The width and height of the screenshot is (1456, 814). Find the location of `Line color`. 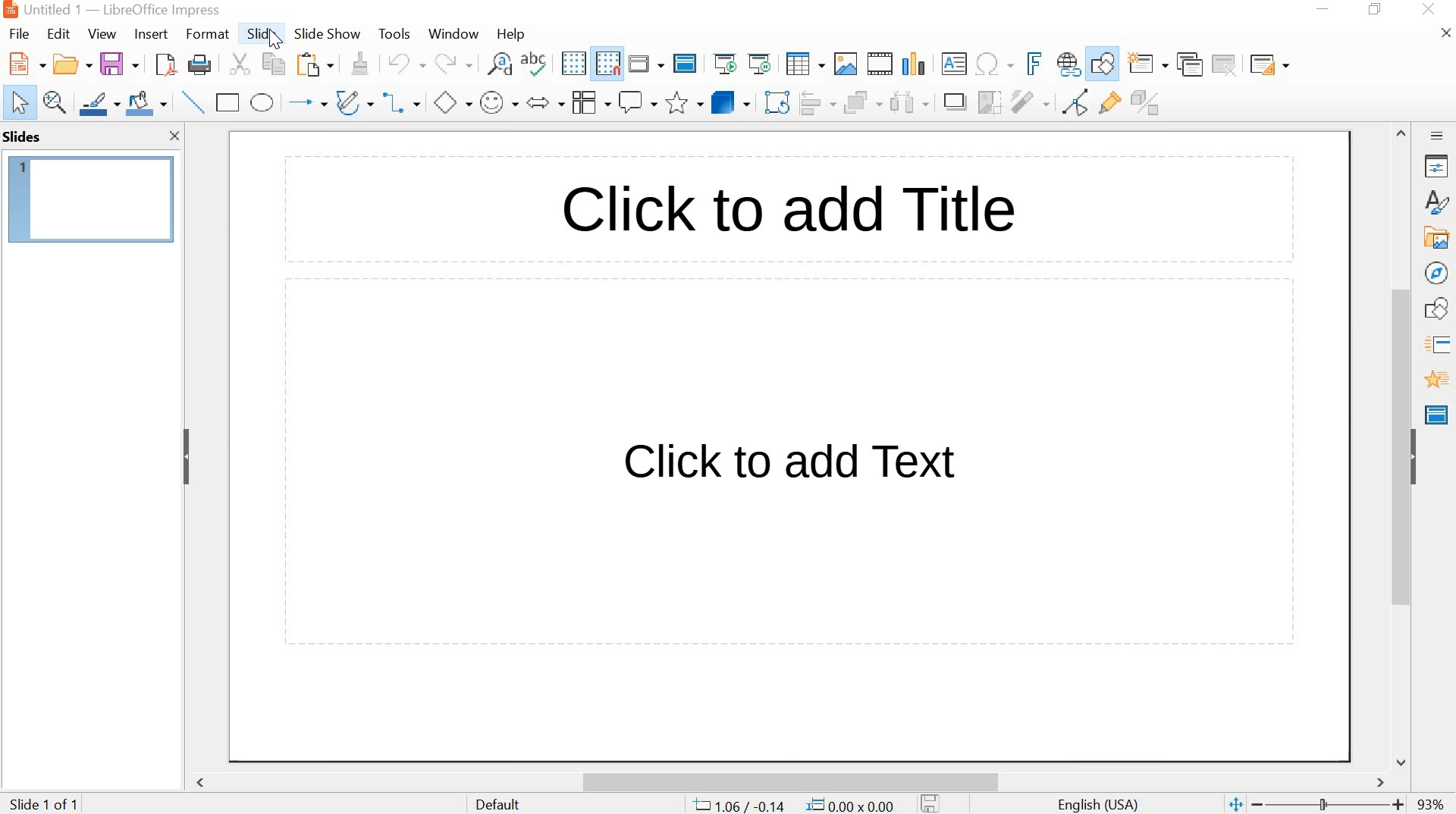

Line color is located at coordinates (99, 103).